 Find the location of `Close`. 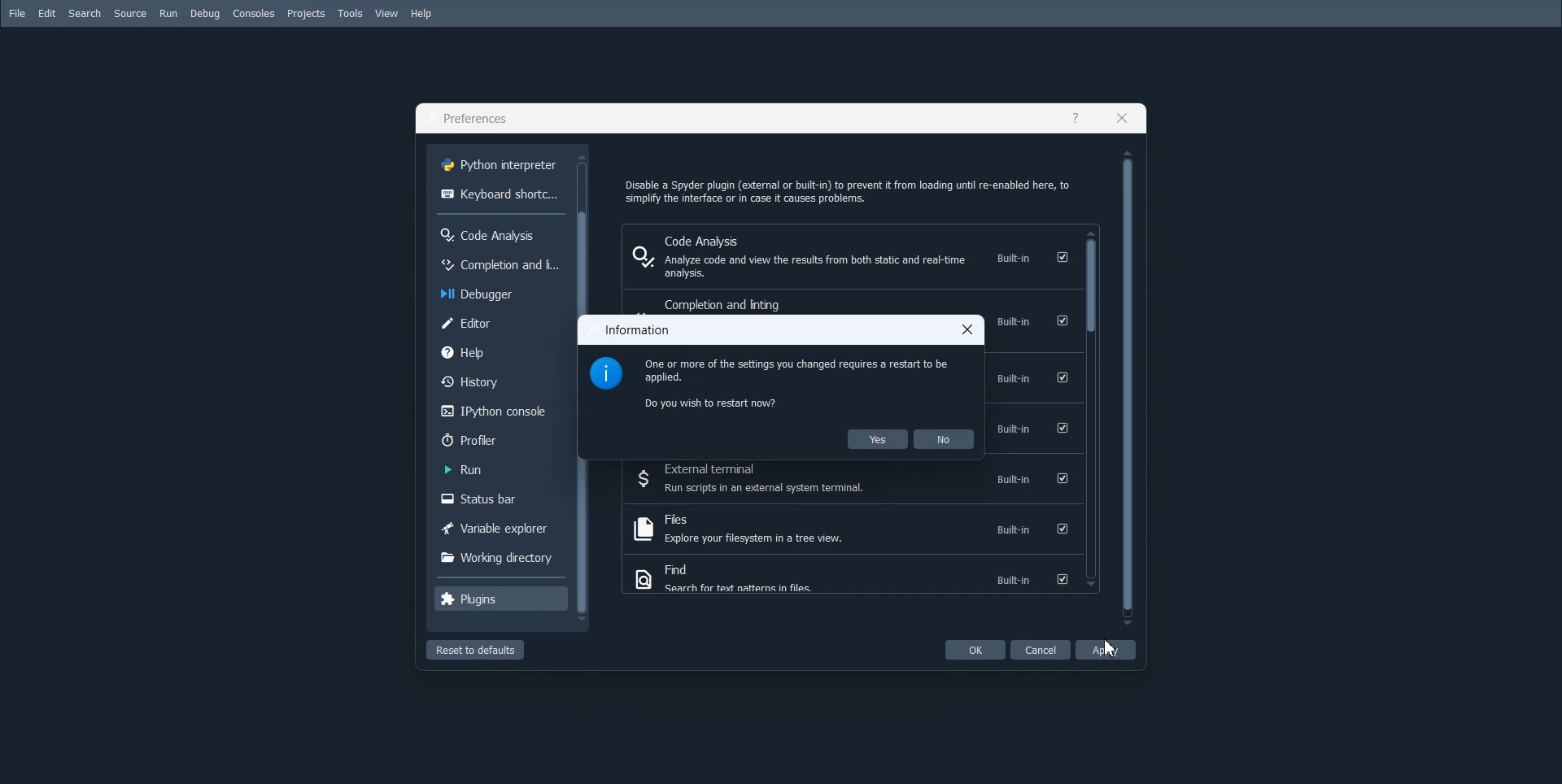

Close is located at coordinates (966, 329).